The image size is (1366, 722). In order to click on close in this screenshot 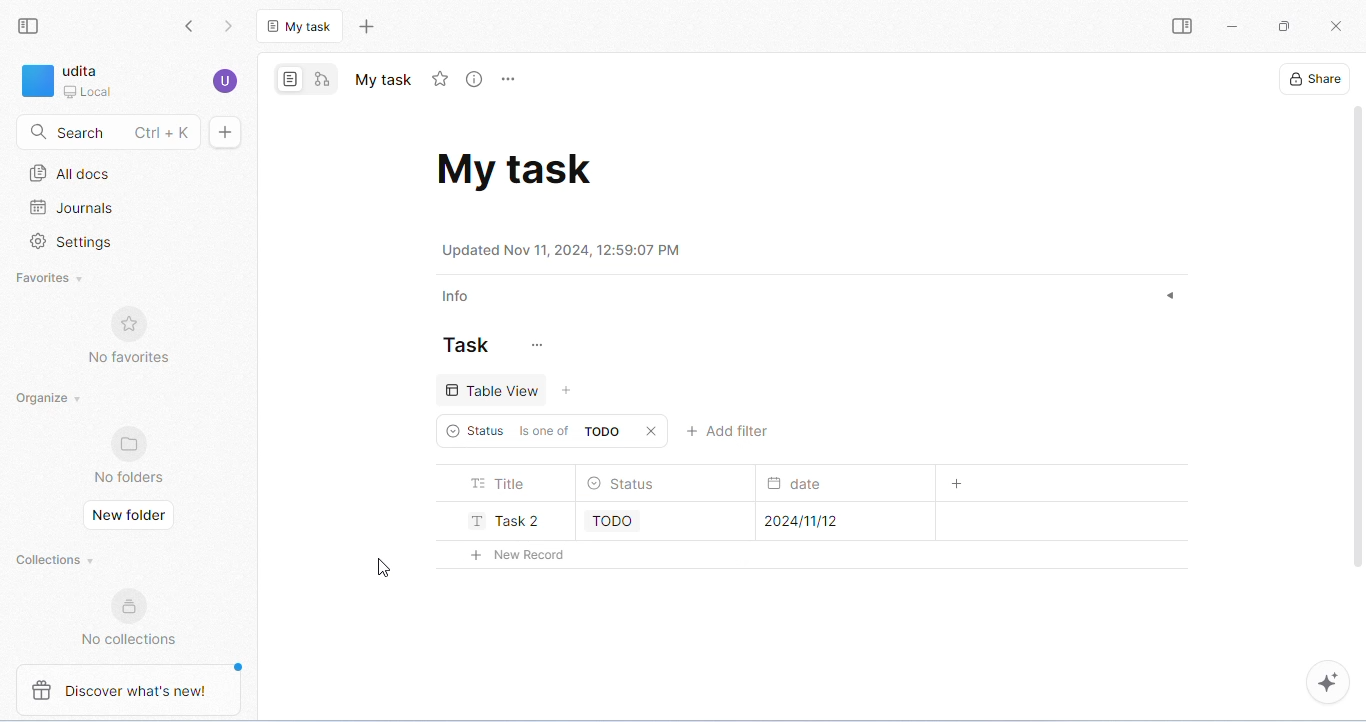, I will do `click(1335, 27)`.